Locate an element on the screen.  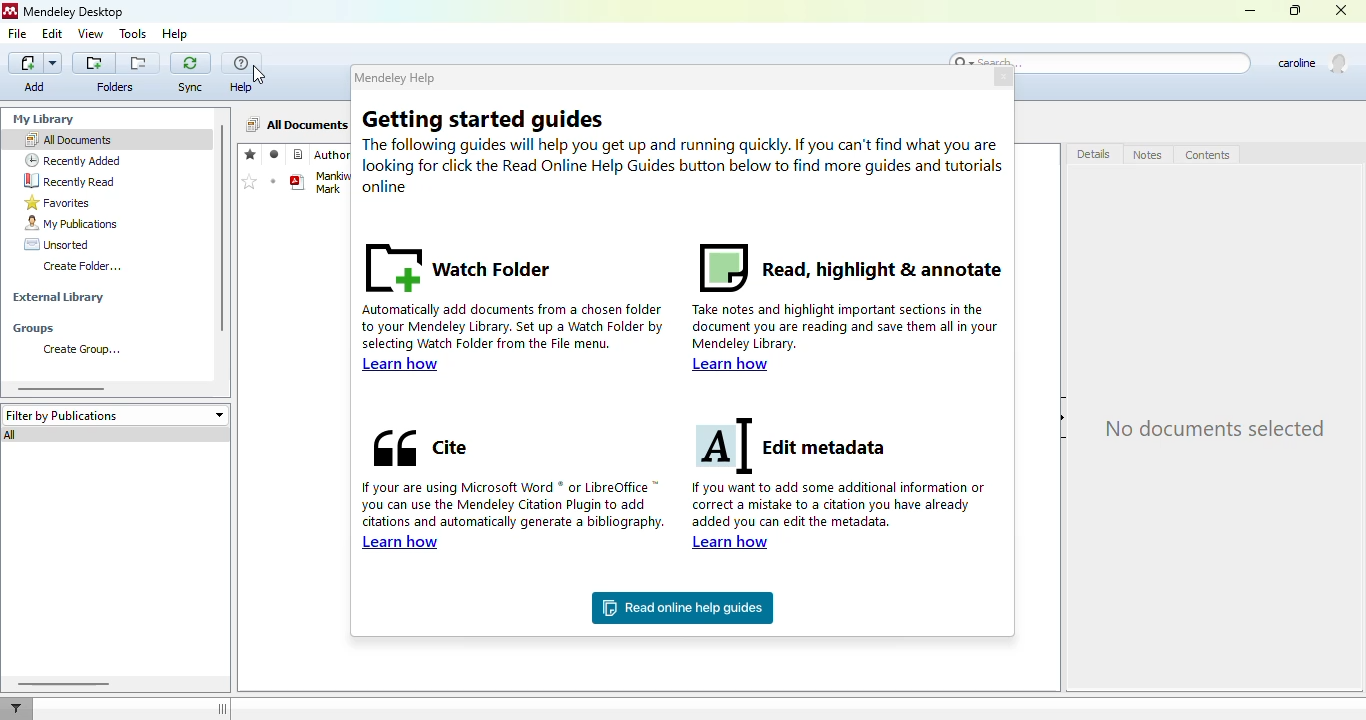
contents is located at coordinates (1206, 155).